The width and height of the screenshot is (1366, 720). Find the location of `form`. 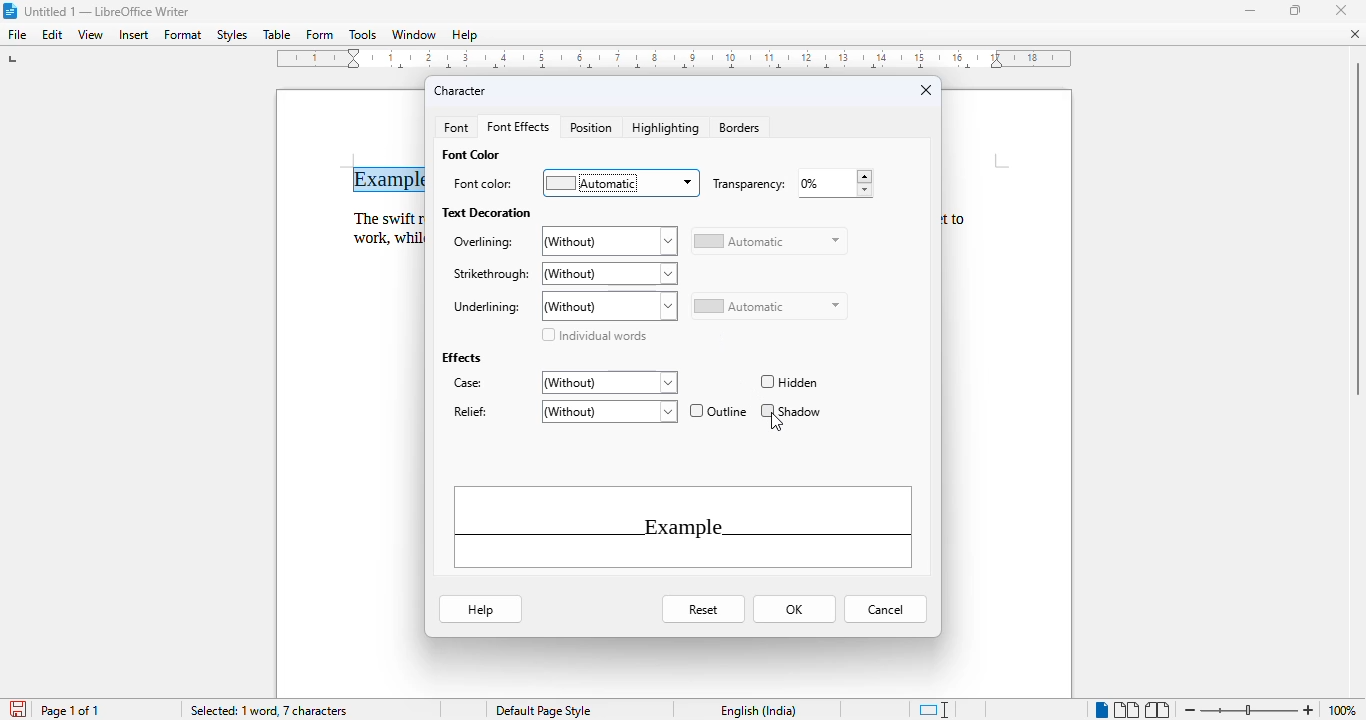

form is located at coordinates (320, 35).